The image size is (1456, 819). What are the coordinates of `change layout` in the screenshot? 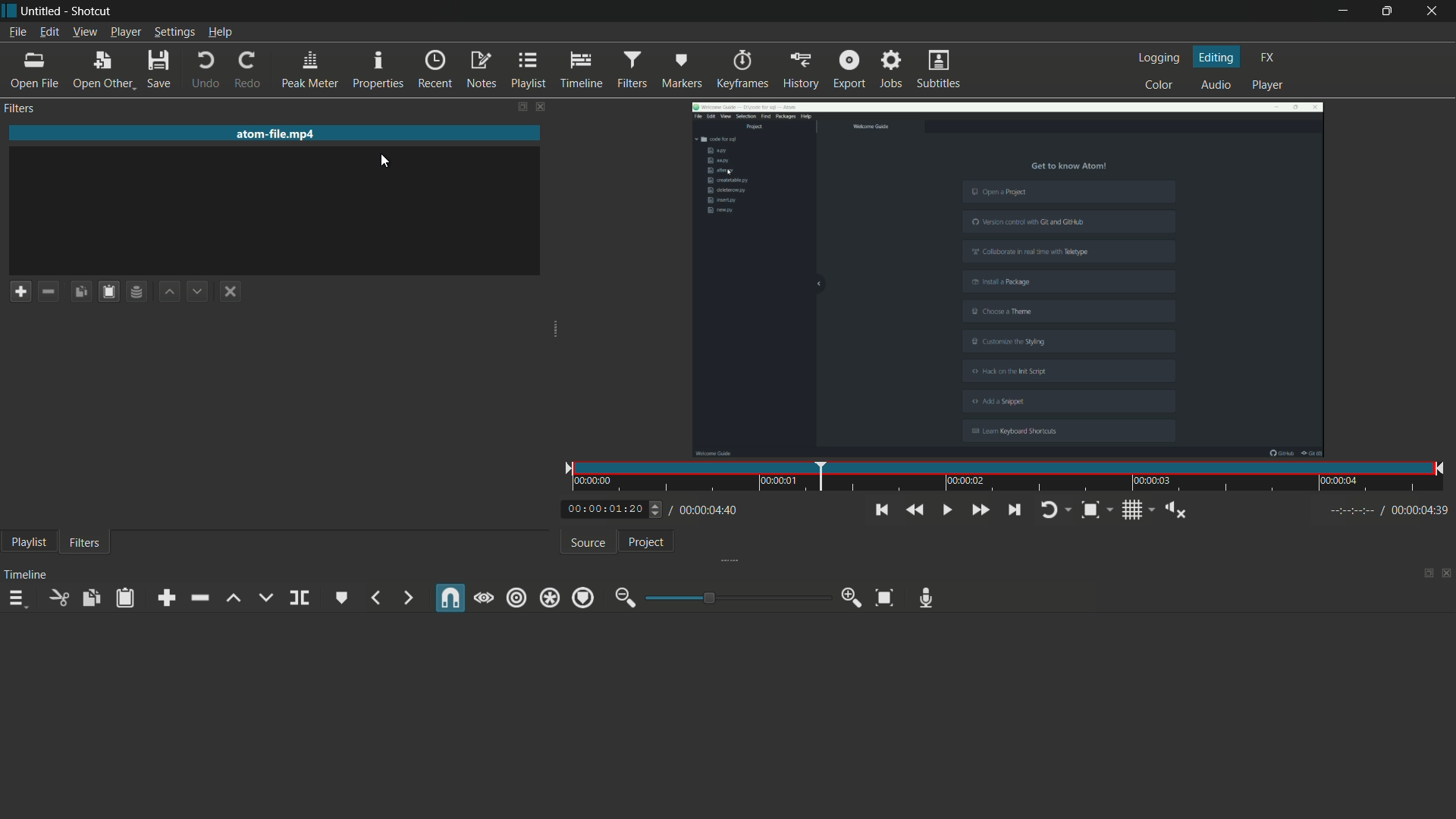 It's located at (519, 108).